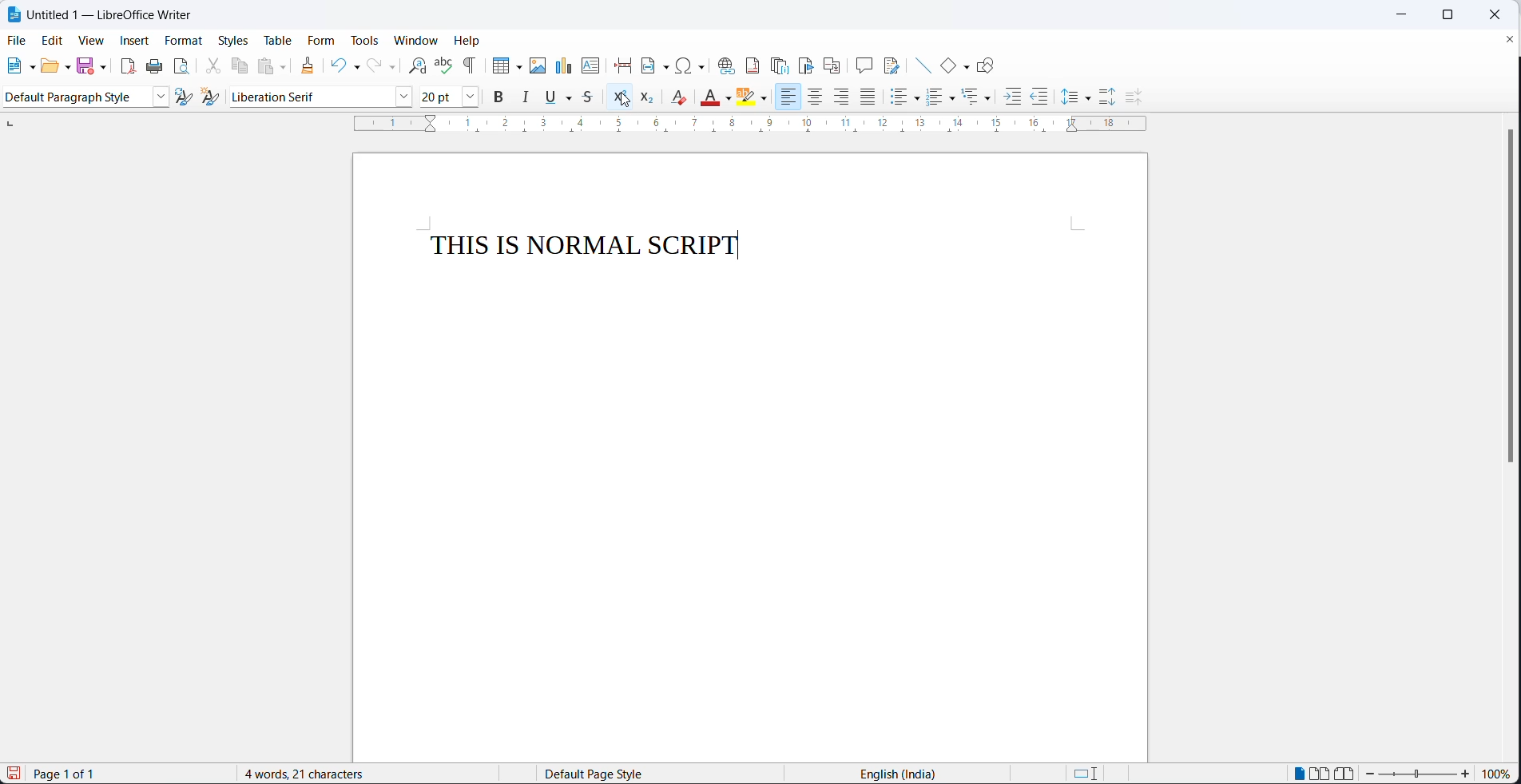 The image size is (1521, 784). What do you see at coordinates (14, 15) in the screenshot?
I see `libreoffice logo` at bounding box center [14, 15].